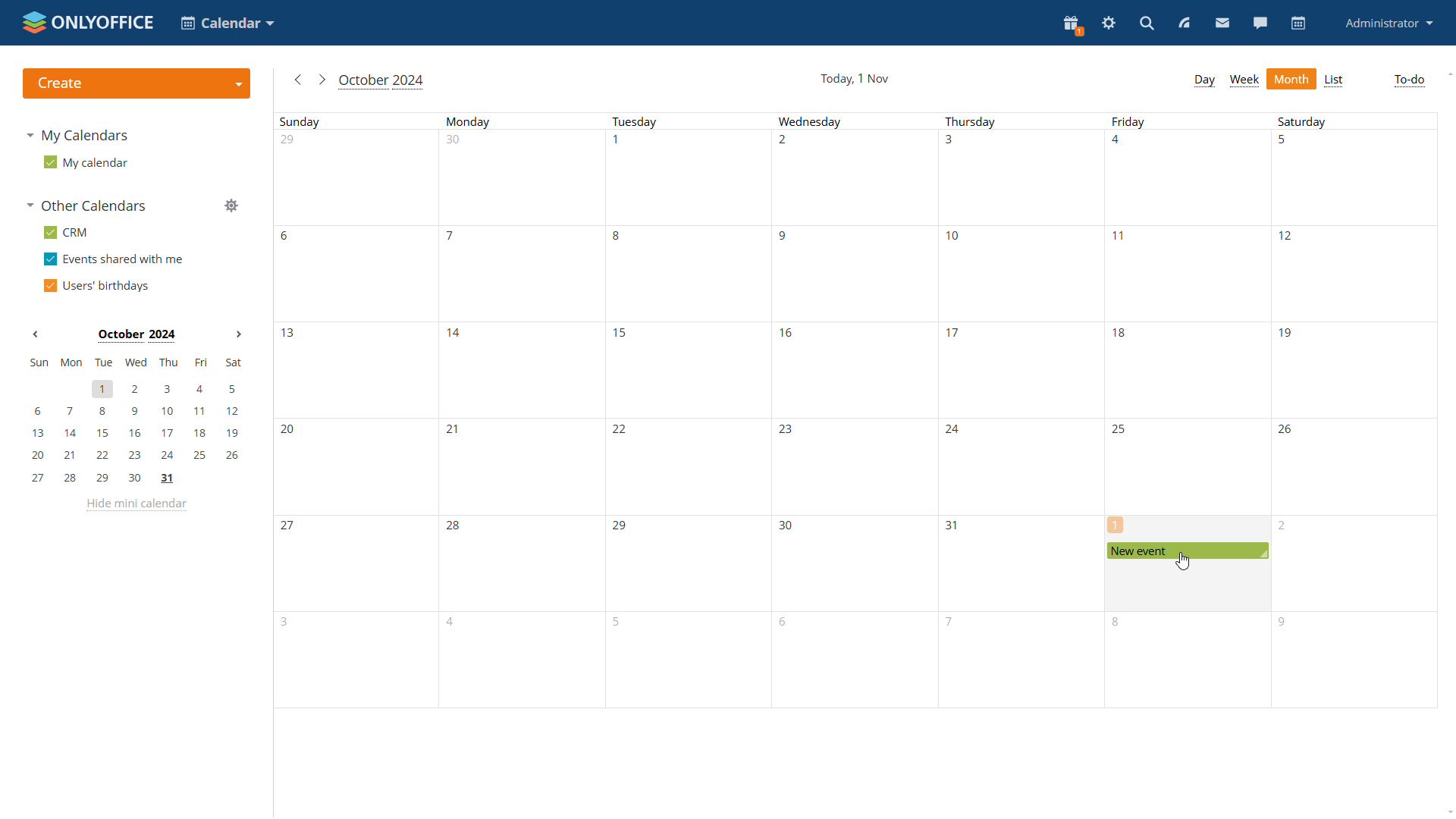 Image resolution: width=1456 pixels, height=819 pixels. What do you see at coordinates (136, 83) in the screenshot?
I see `create` at bounding box center [136, 83].